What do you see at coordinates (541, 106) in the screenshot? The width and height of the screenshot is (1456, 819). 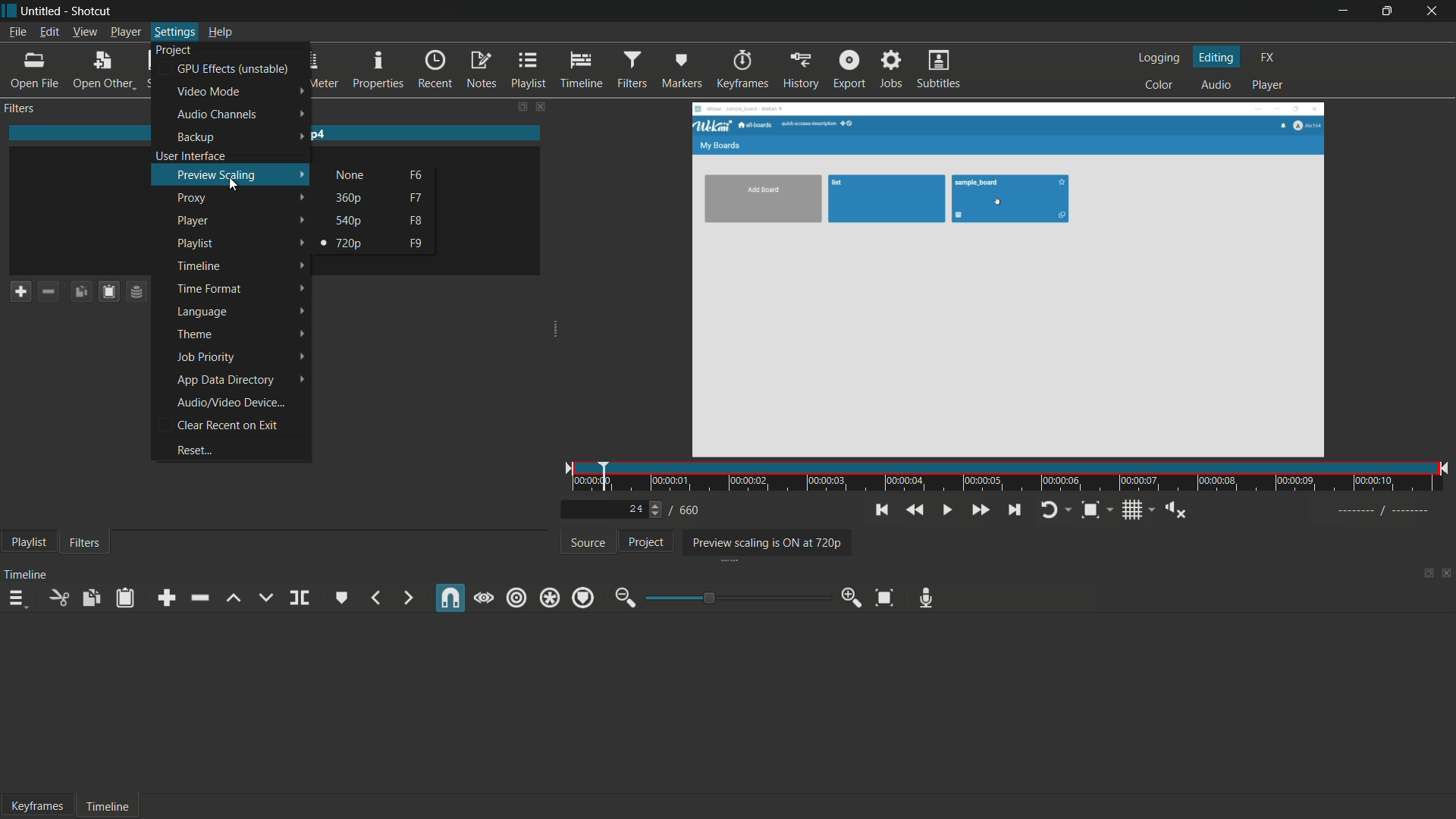 I see `close filters` at bounding box center [541, 106].